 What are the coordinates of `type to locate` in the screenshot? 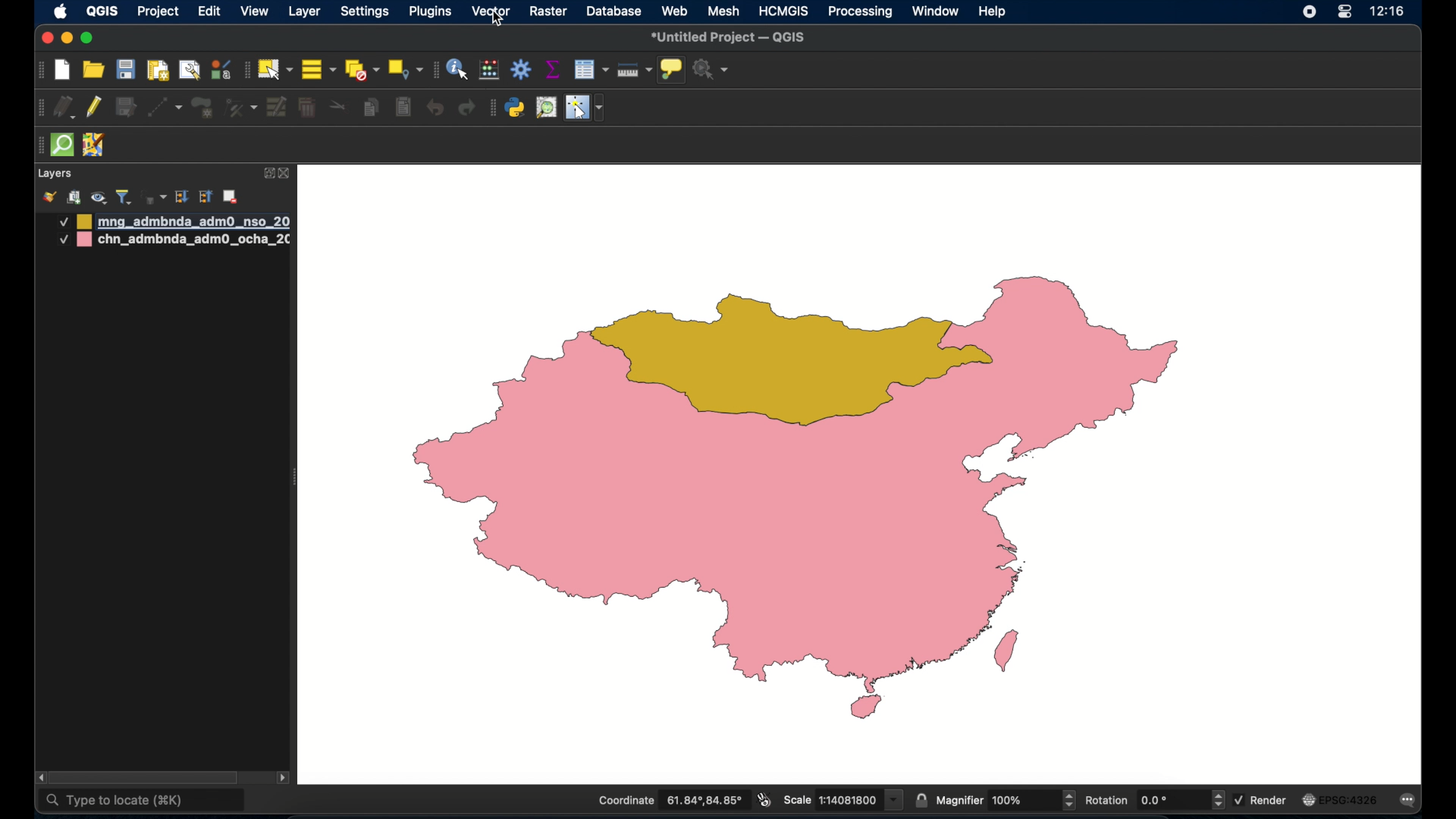 It's located at (143, 802).